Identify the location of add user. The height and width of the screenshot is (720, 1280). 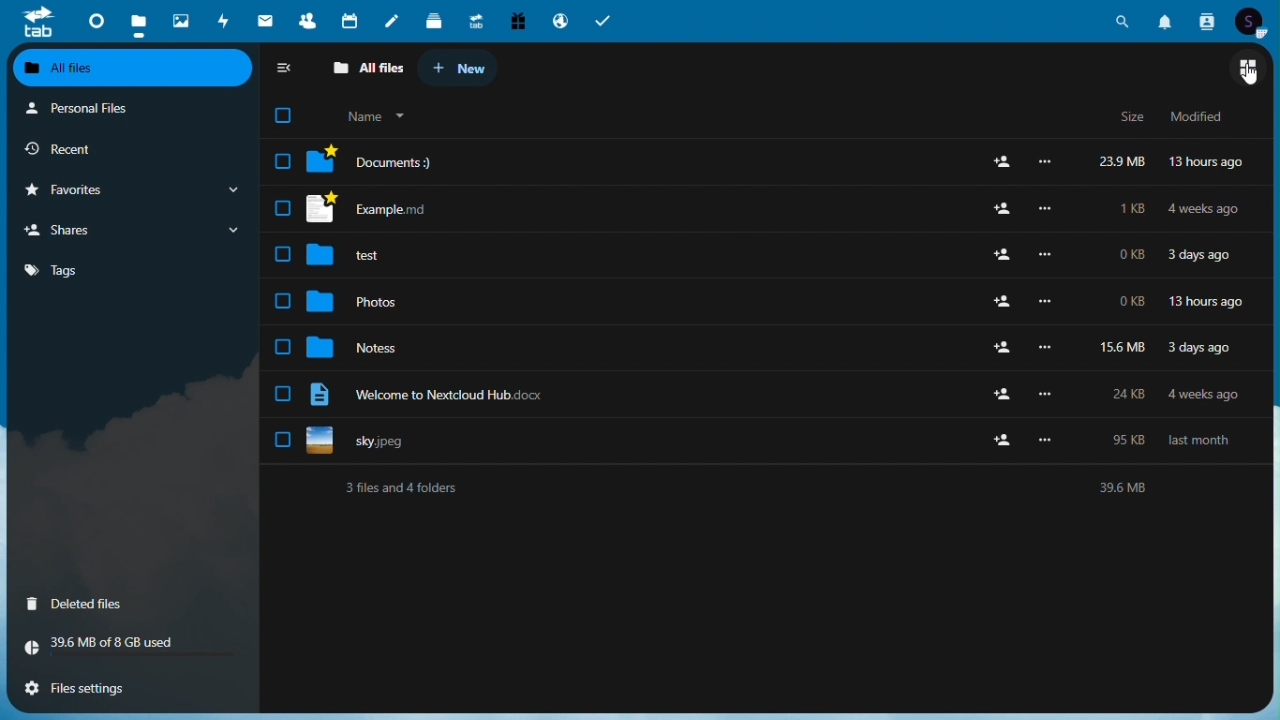
(1002, 303).